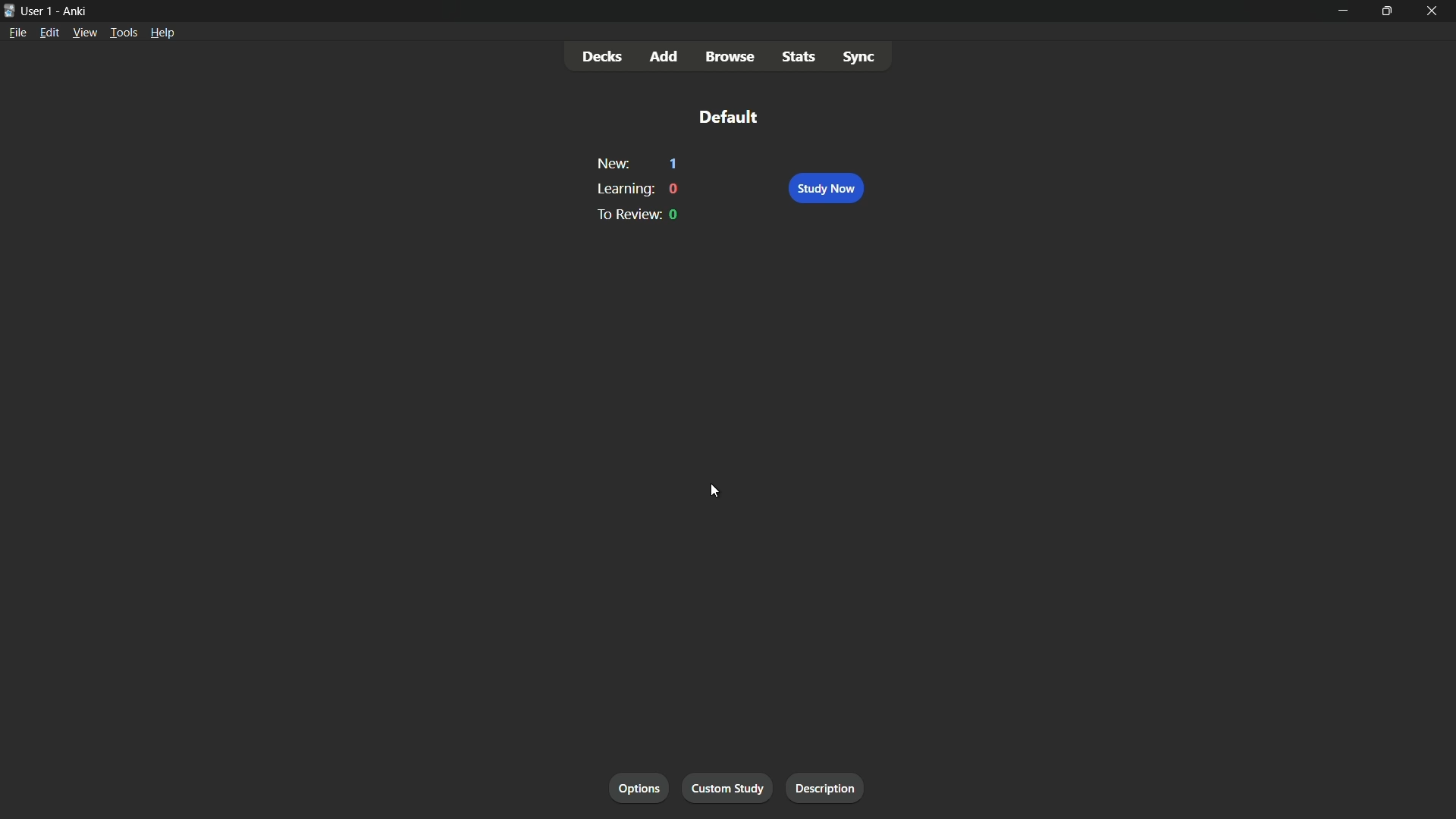 This screenshot has height=819, width=1456. What do you see at coordinates (72, 10) in the screenshot?
I see `Ankri` at bounding box center [72, 10].